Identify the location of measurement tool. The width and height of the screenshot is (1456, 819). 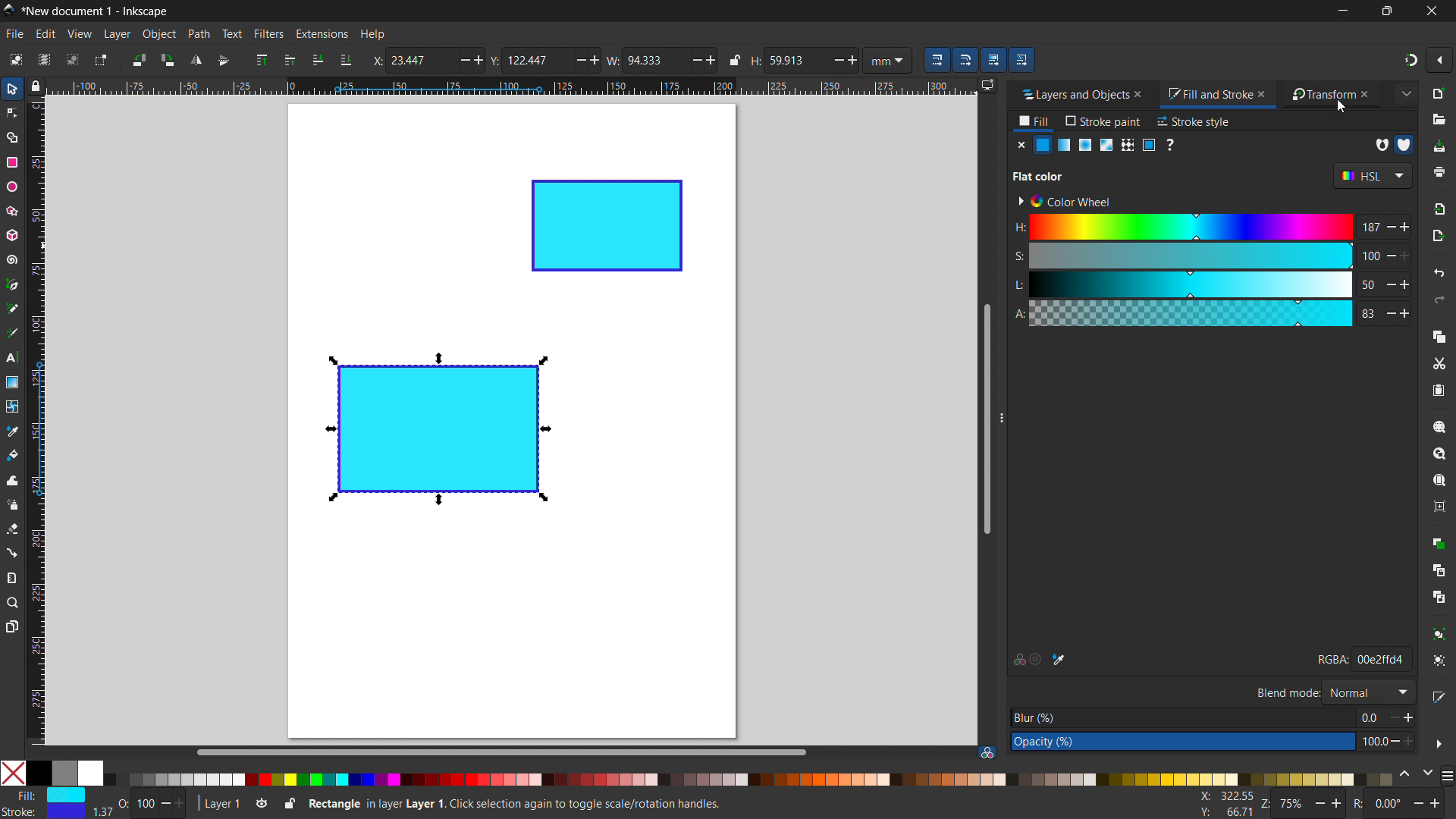
(13, 577).